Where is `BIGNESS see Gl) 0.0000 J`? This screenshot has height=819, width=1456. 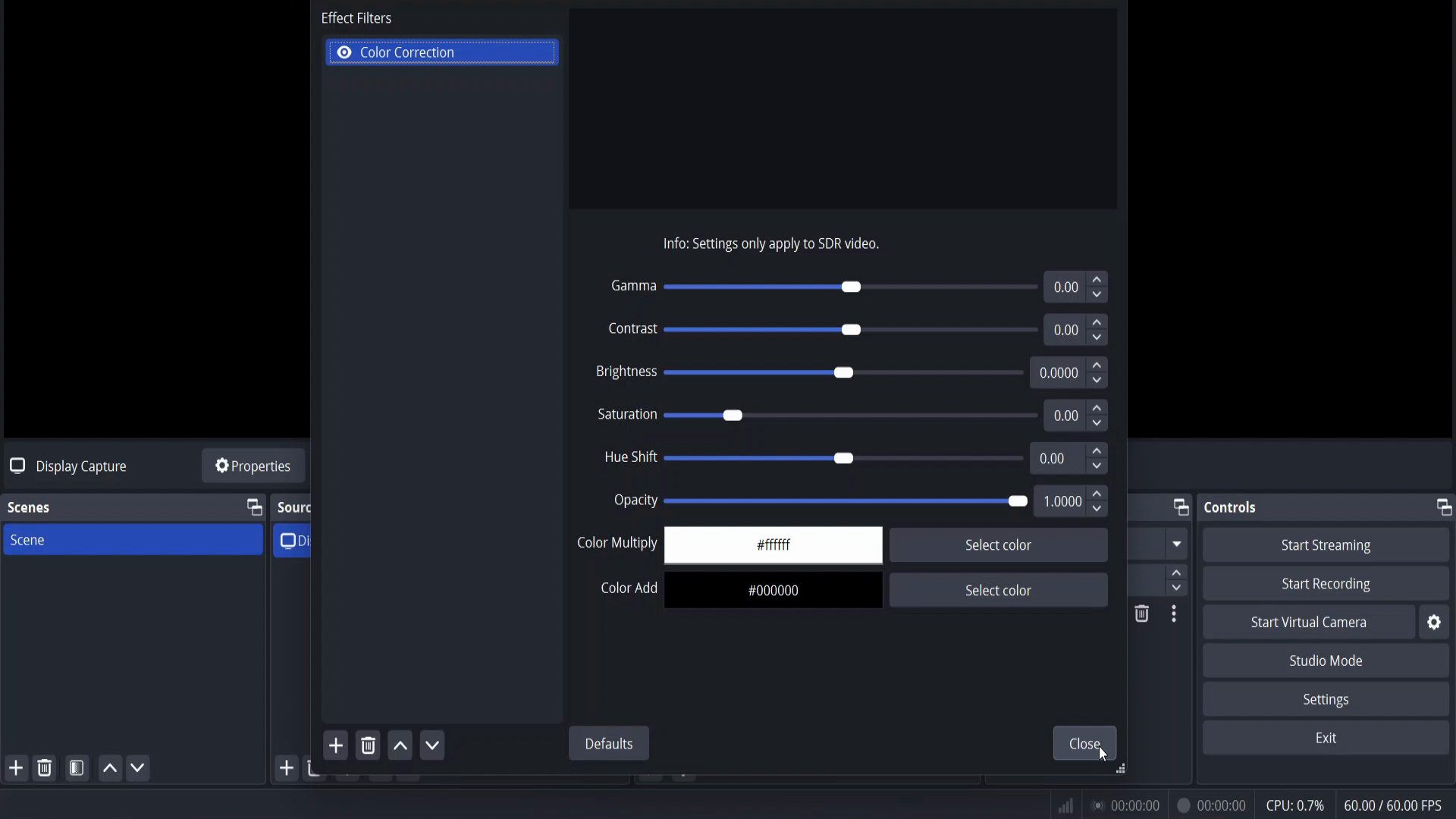
BIGNESS see Gl) 0.0000 J is located at coordinates (836, 373).